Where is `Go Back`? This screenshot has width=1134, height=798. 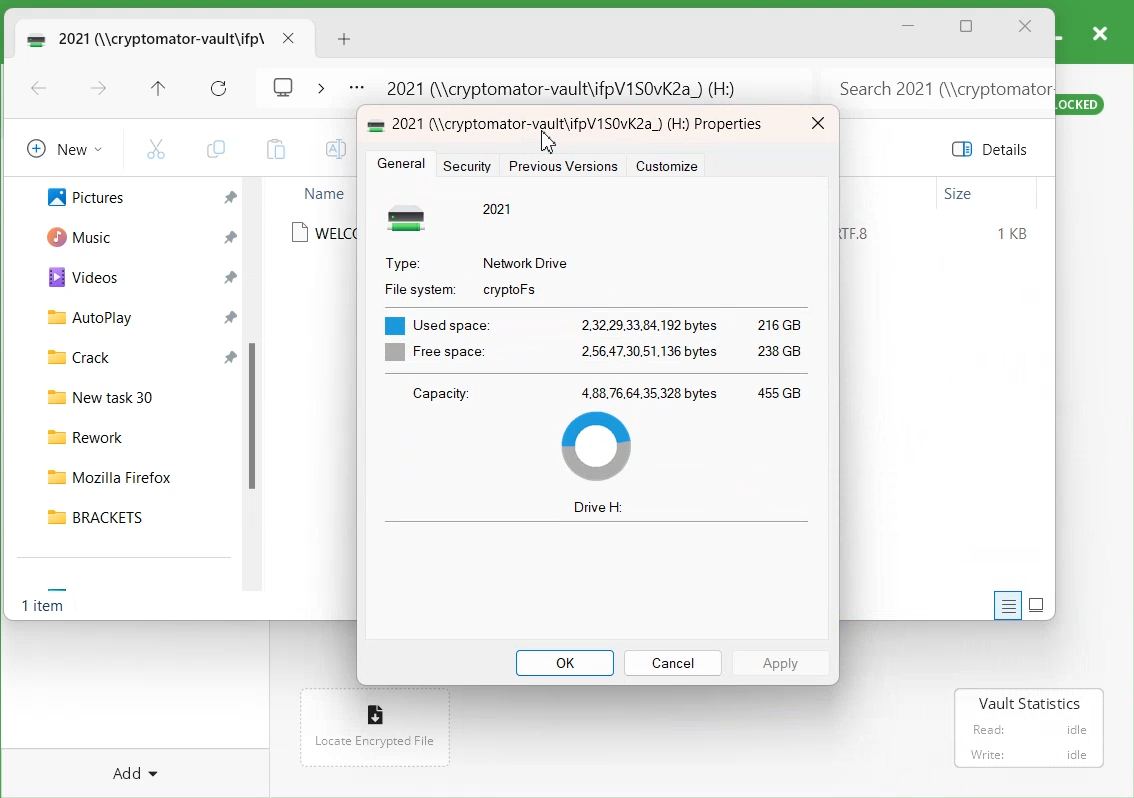 Go Back is located at coordinates (39, 90).